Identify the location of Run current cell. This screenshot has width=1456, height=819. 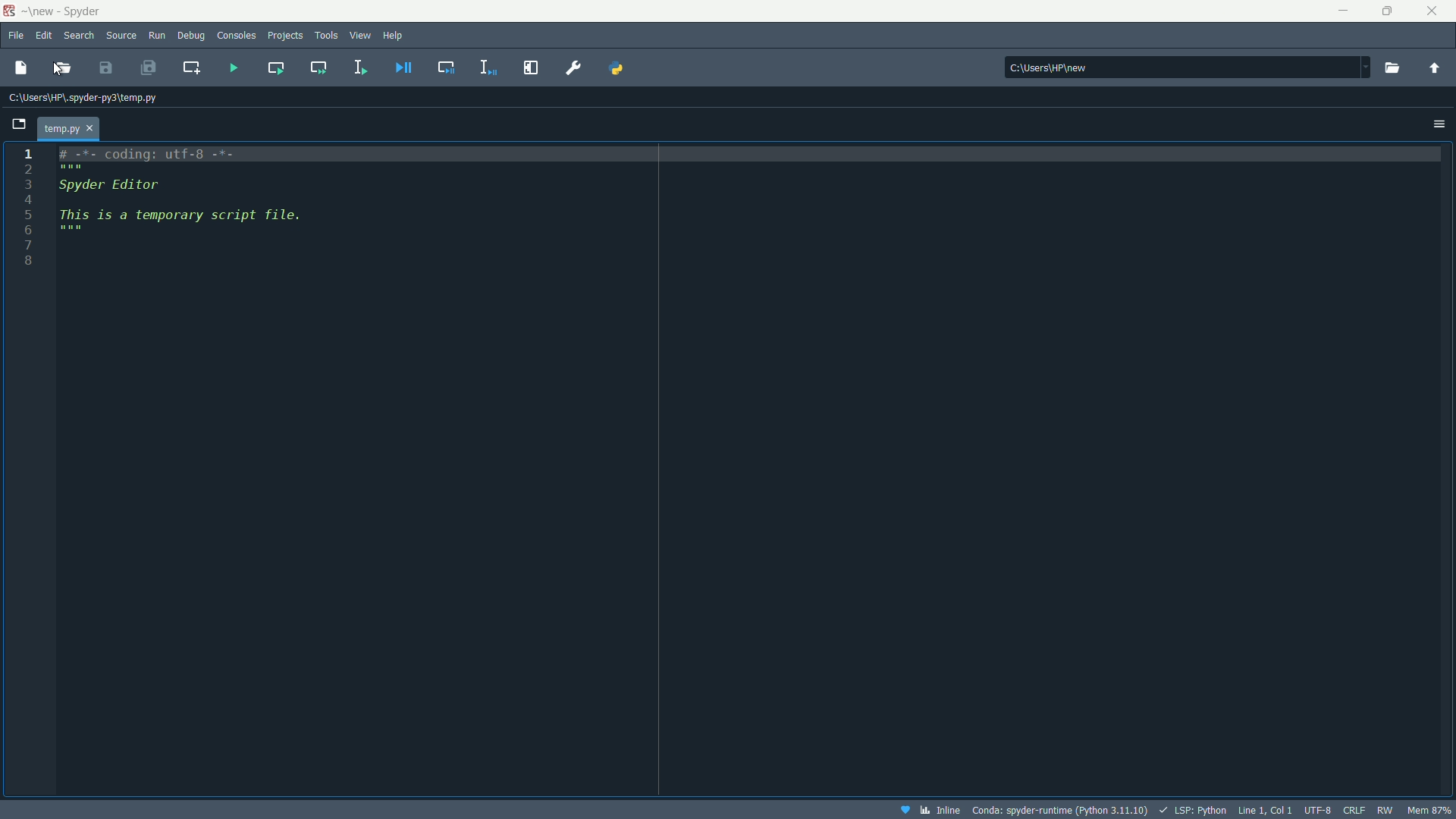
(276, 68).